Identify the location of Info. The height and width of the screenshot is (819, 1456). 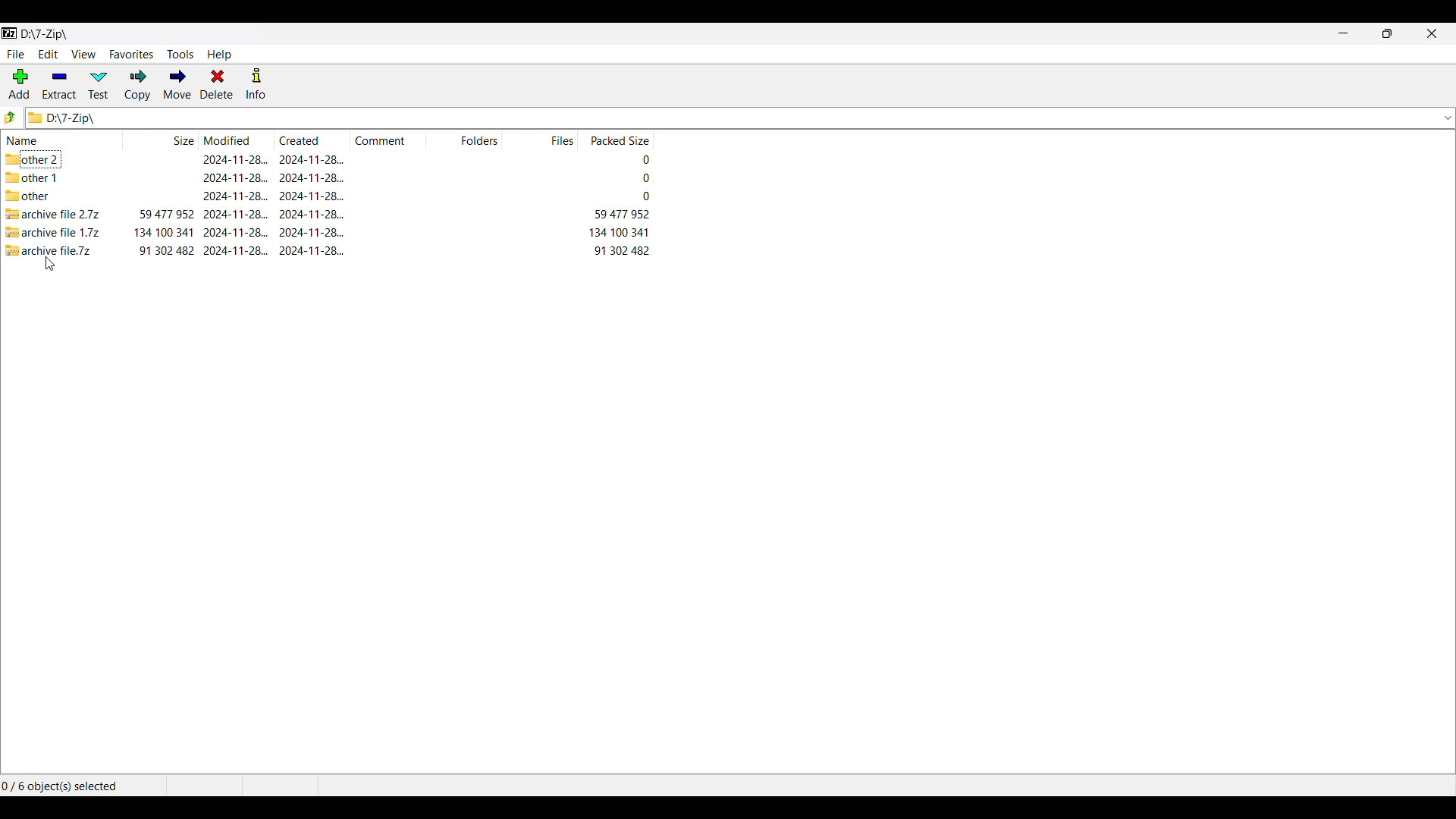
(256, 83).